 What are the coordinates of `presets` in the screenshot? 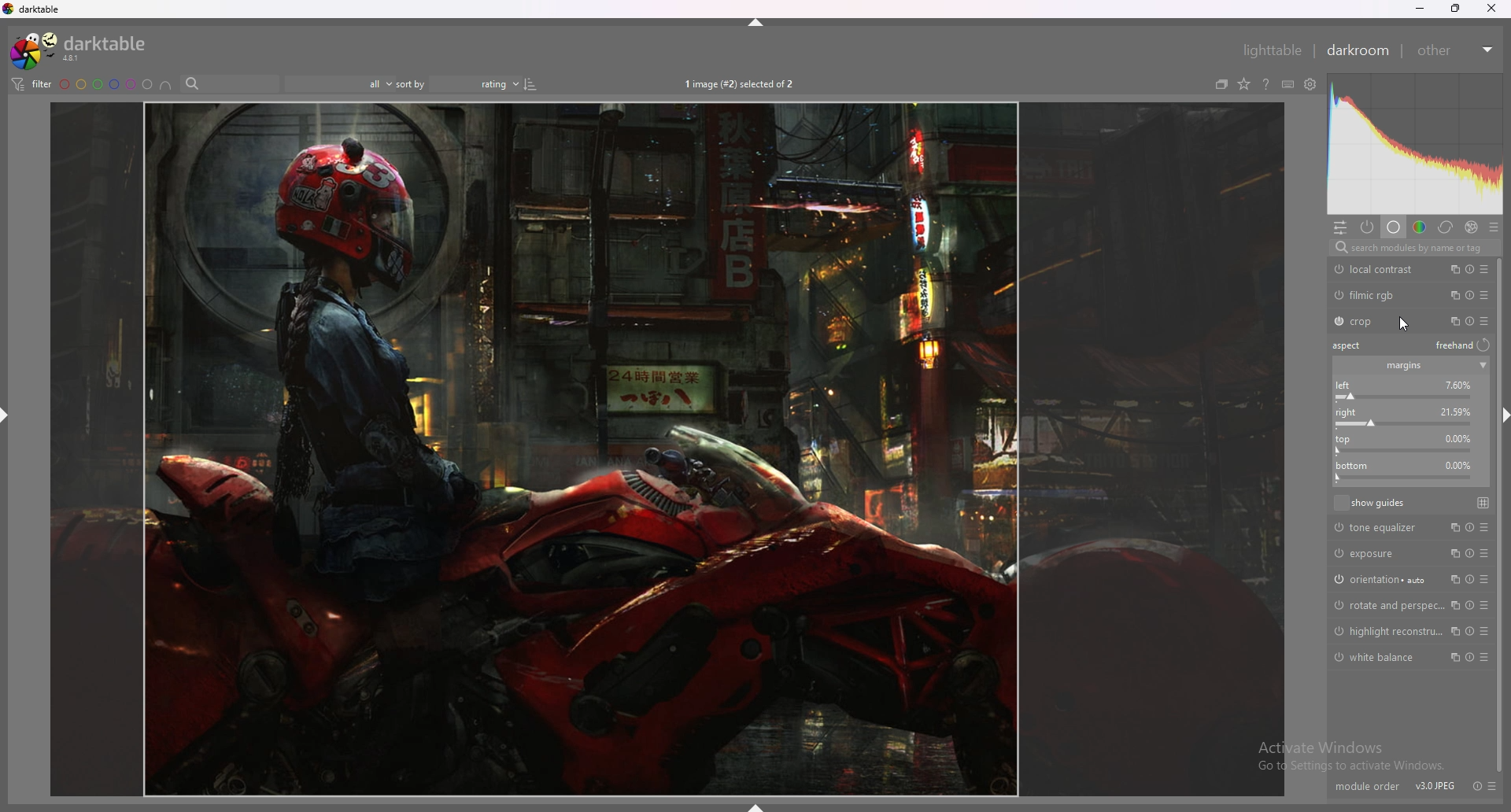 It's located at (1486, 554).